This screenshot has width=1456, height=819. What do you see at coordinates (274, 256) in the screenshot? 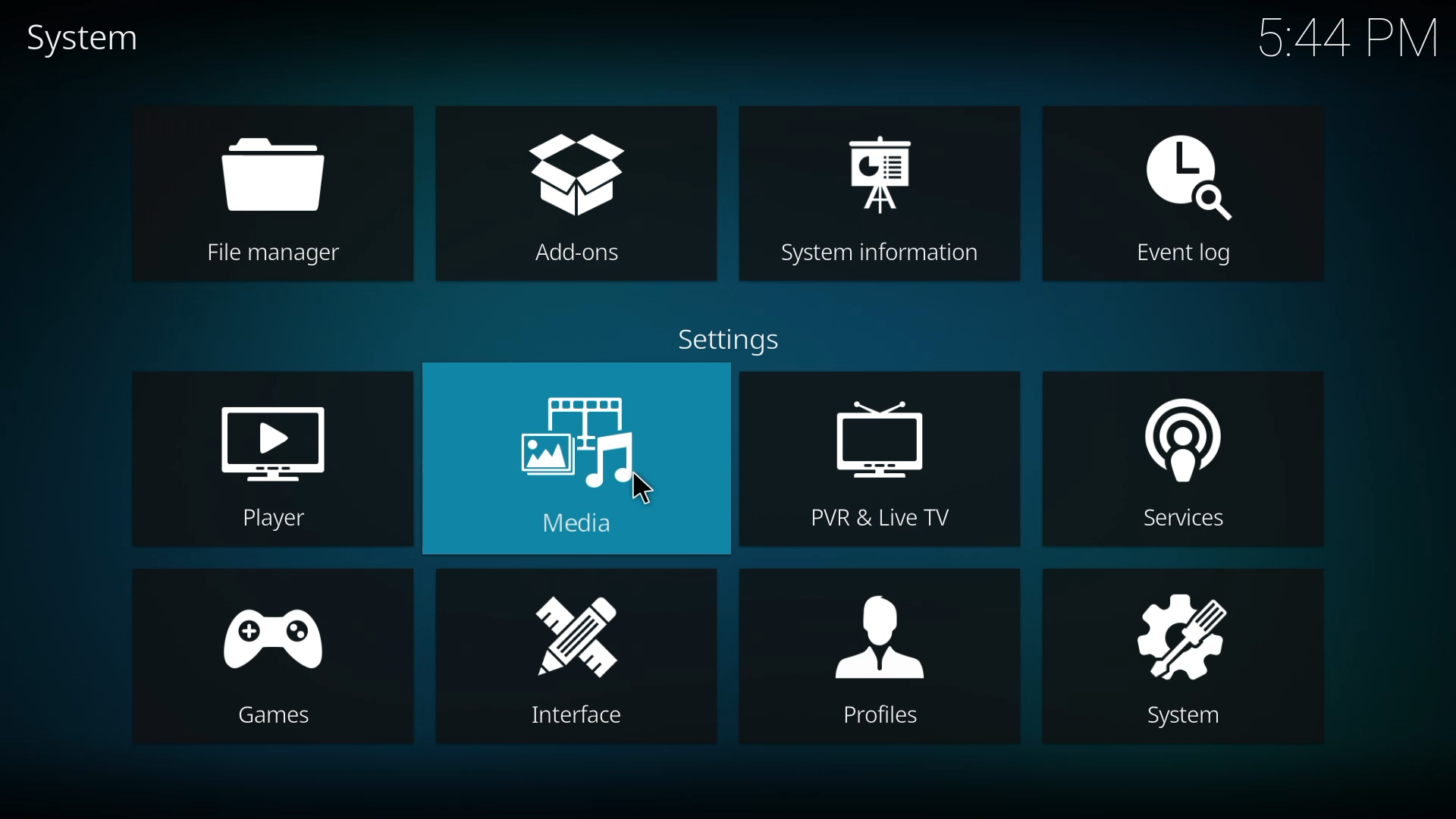
I see `File manager` at bounding box center [274, 256].